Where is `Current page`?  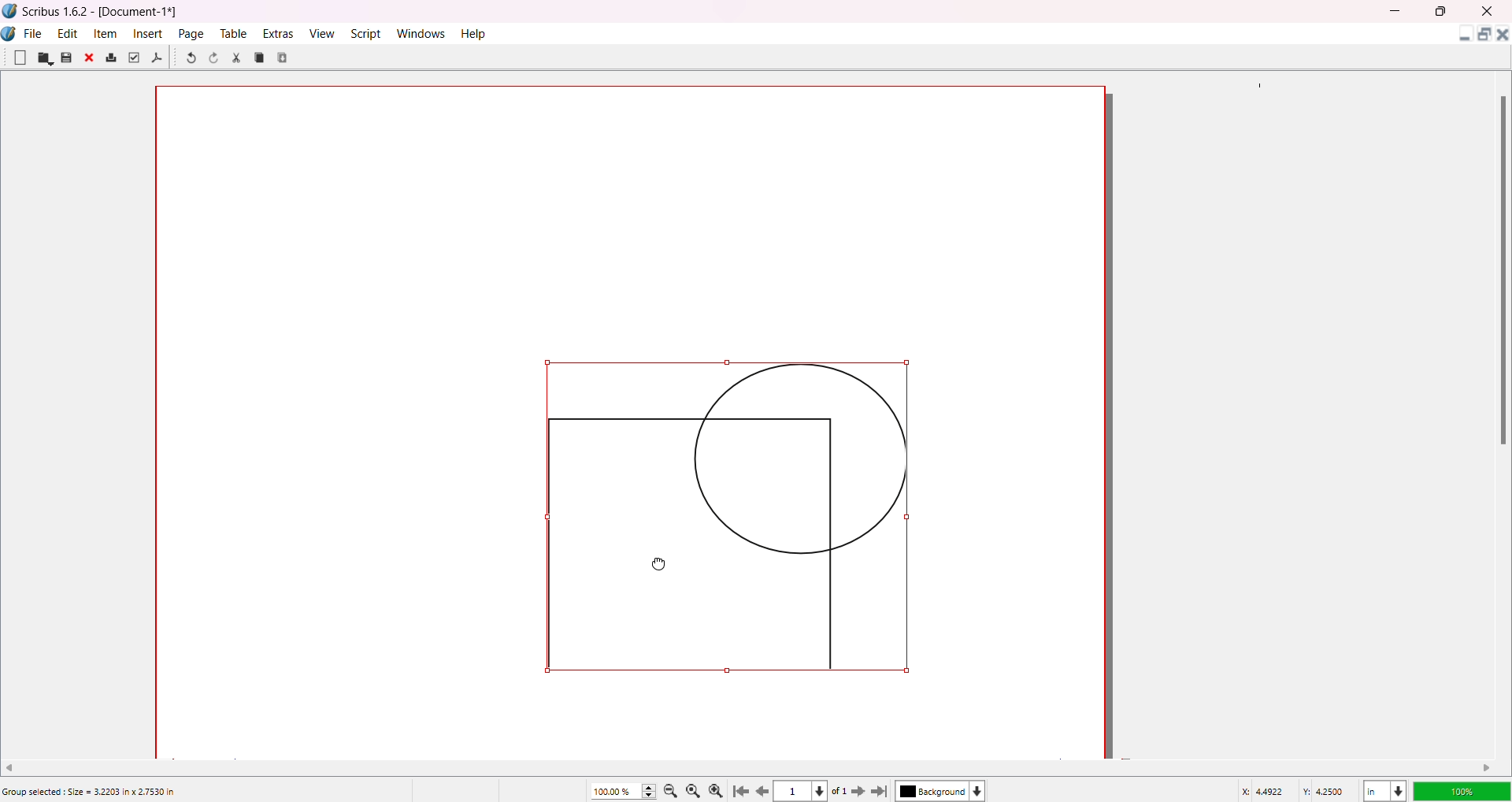 Current page is located at coordinates (795, 792).